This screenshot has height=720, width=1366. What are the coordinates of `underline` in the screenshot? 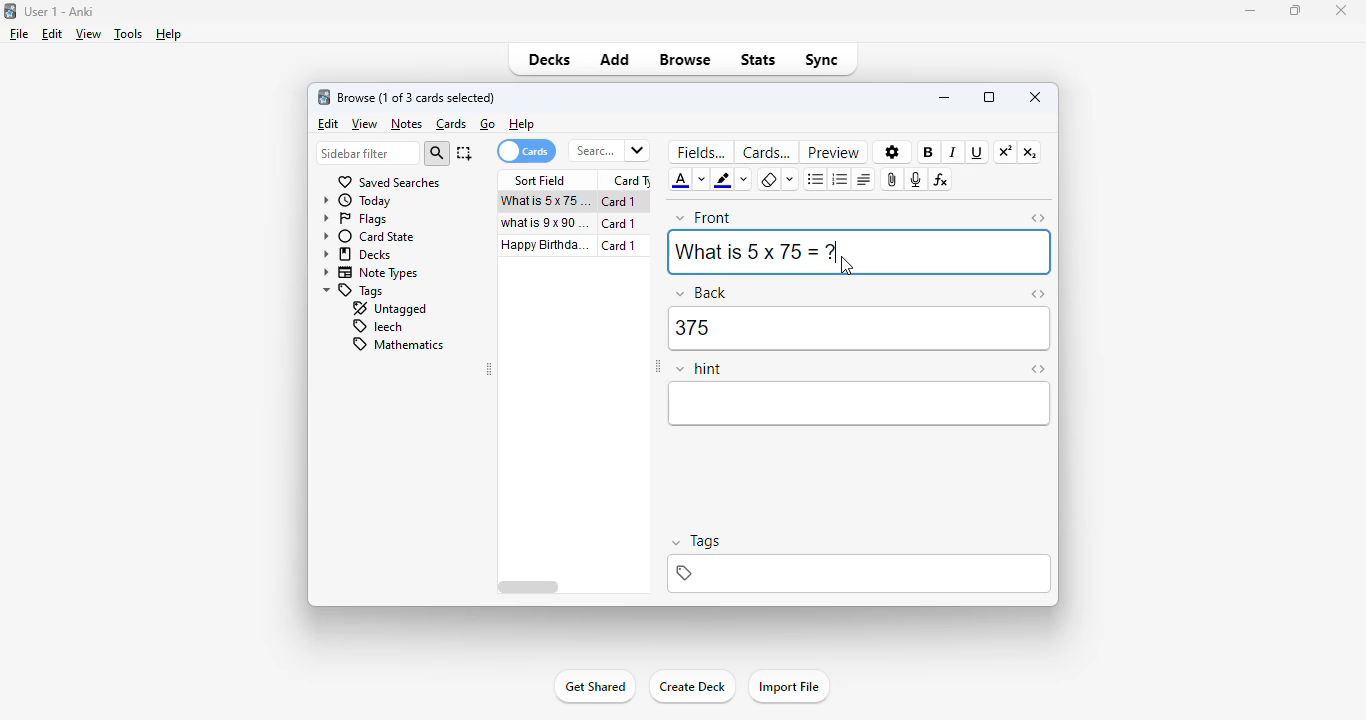 It's located at (977, 153).